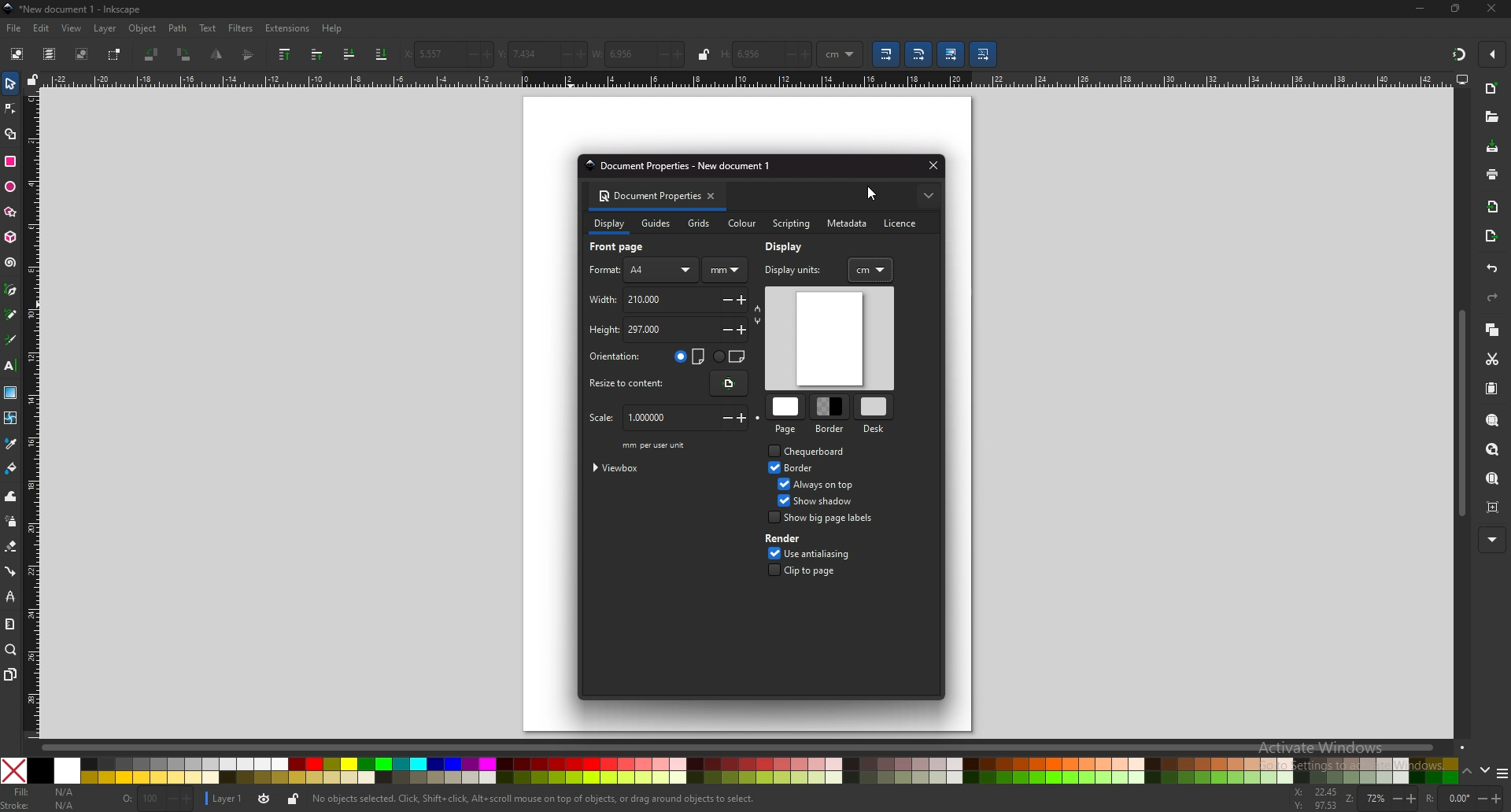 This screenshot has height=812, width=1511. Describe the element at coordinates (11, 134) in the screenshot. I see `shape builder` at that location.